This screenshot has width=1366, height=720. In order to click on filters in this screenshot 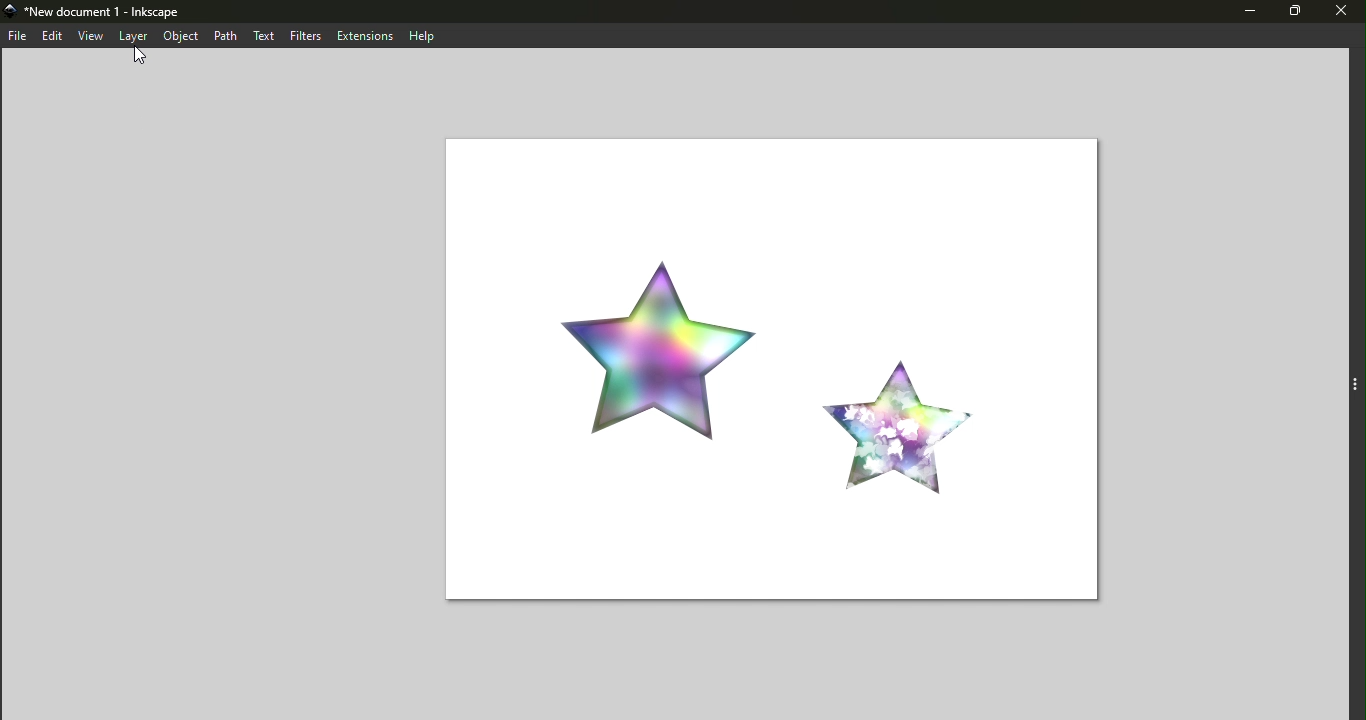, I will do `click(306, 35)`.